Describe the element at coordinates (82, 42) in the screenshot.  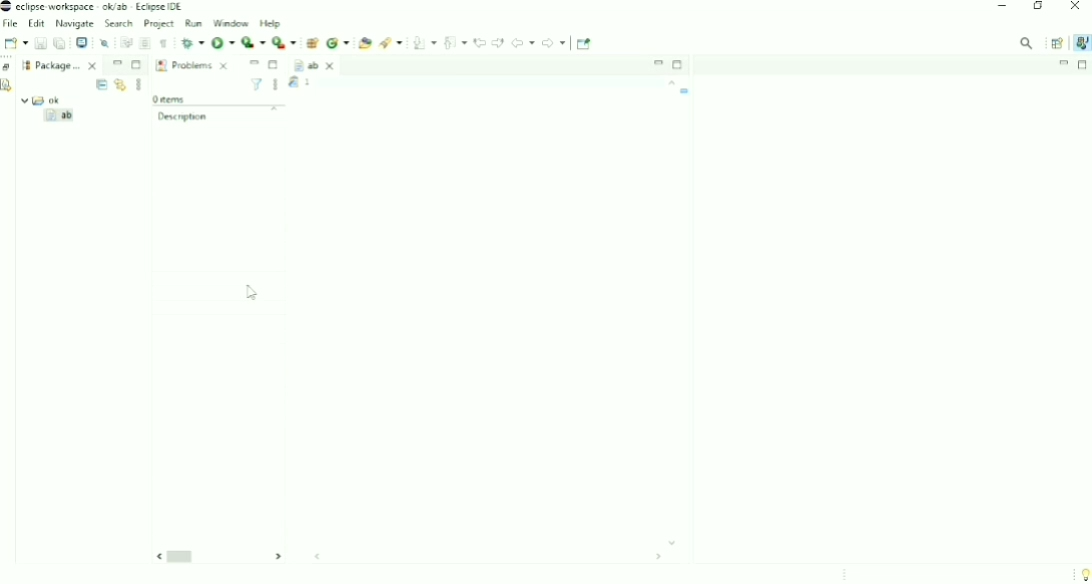
I see `Open a Terminal` at that location.